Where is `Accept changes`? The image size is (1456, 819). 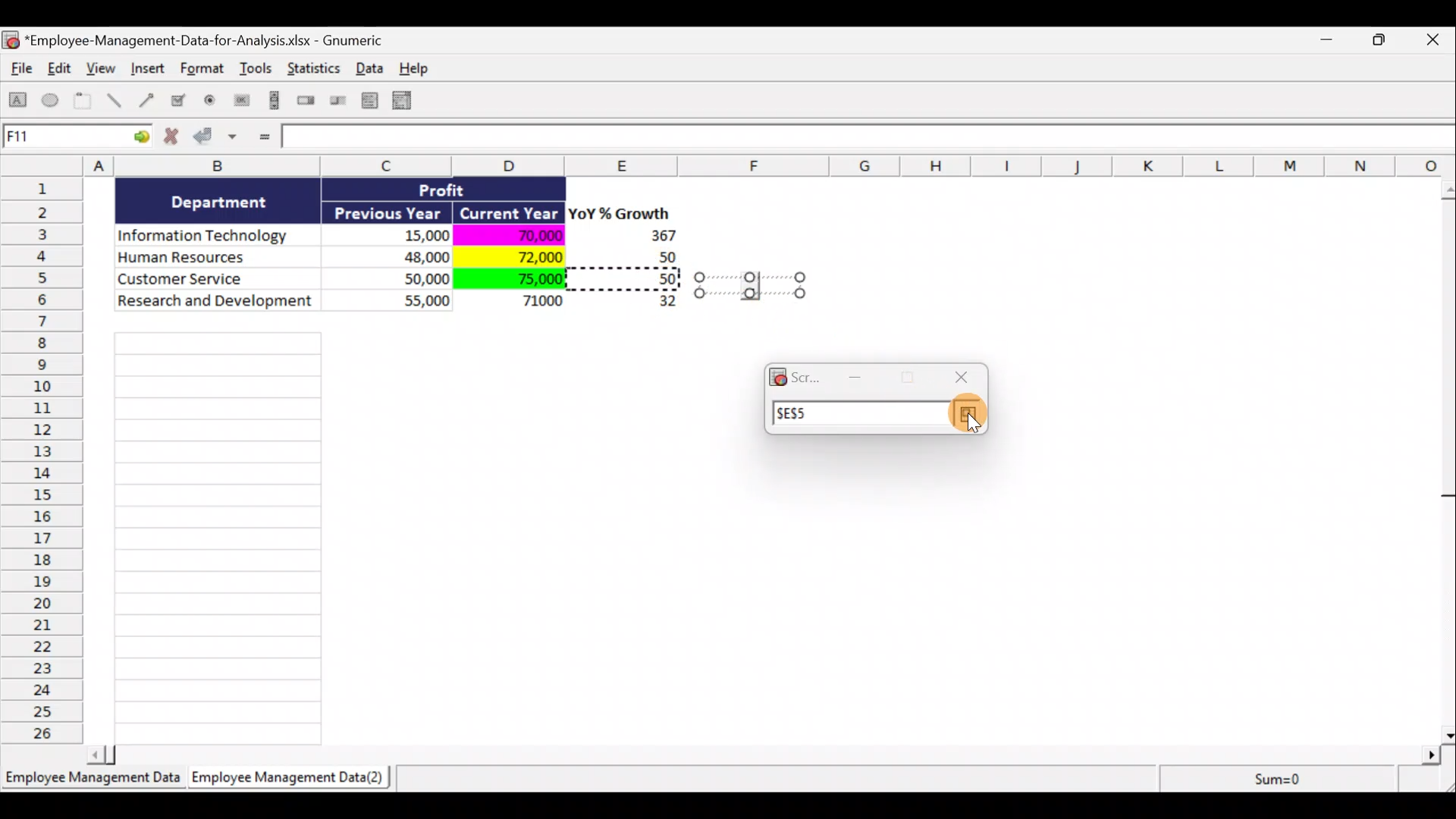 Accept changes is located at coordinates (218, 142).